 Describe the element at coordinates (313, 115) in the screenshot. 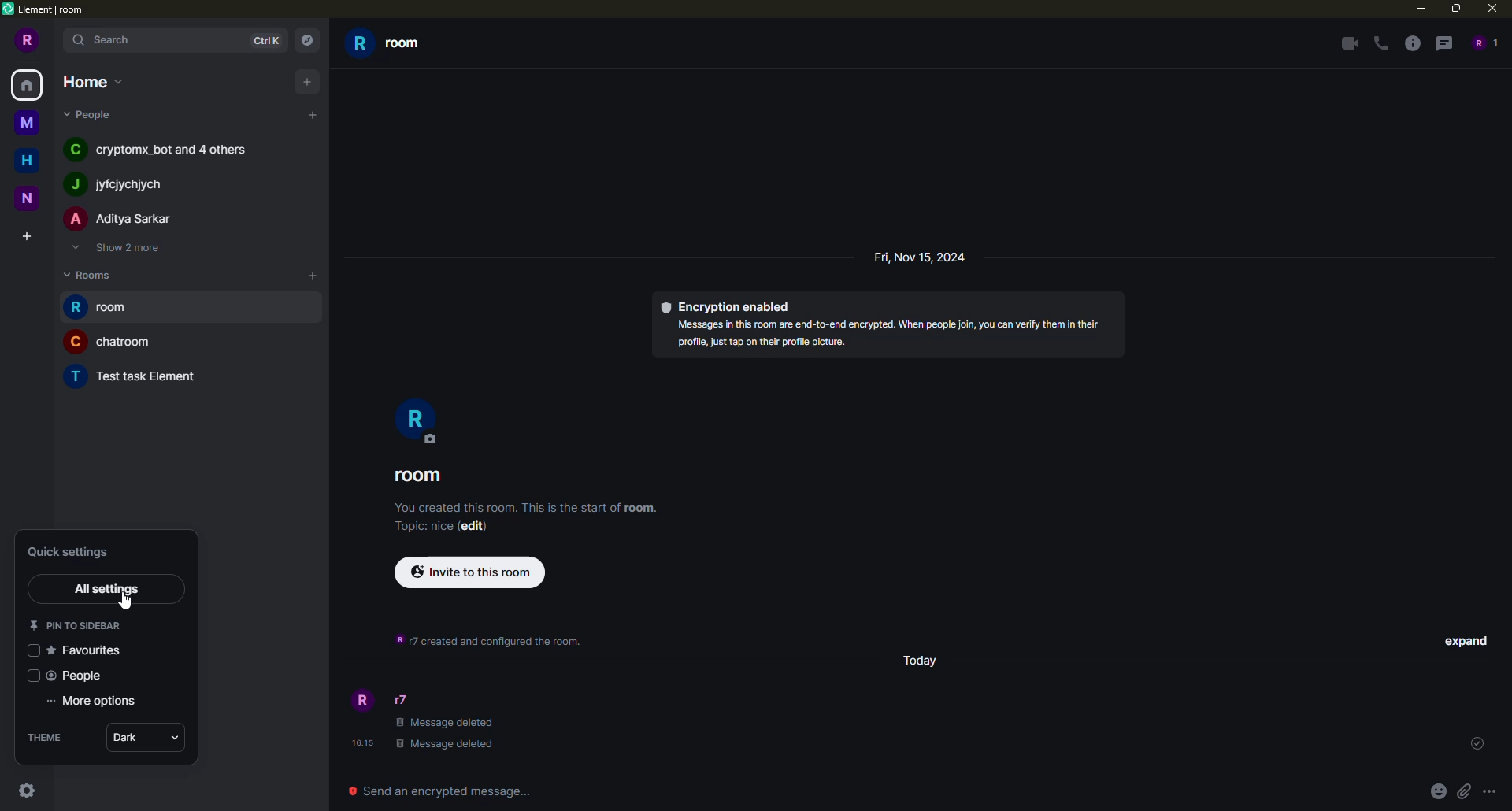

I see `add` at that location.